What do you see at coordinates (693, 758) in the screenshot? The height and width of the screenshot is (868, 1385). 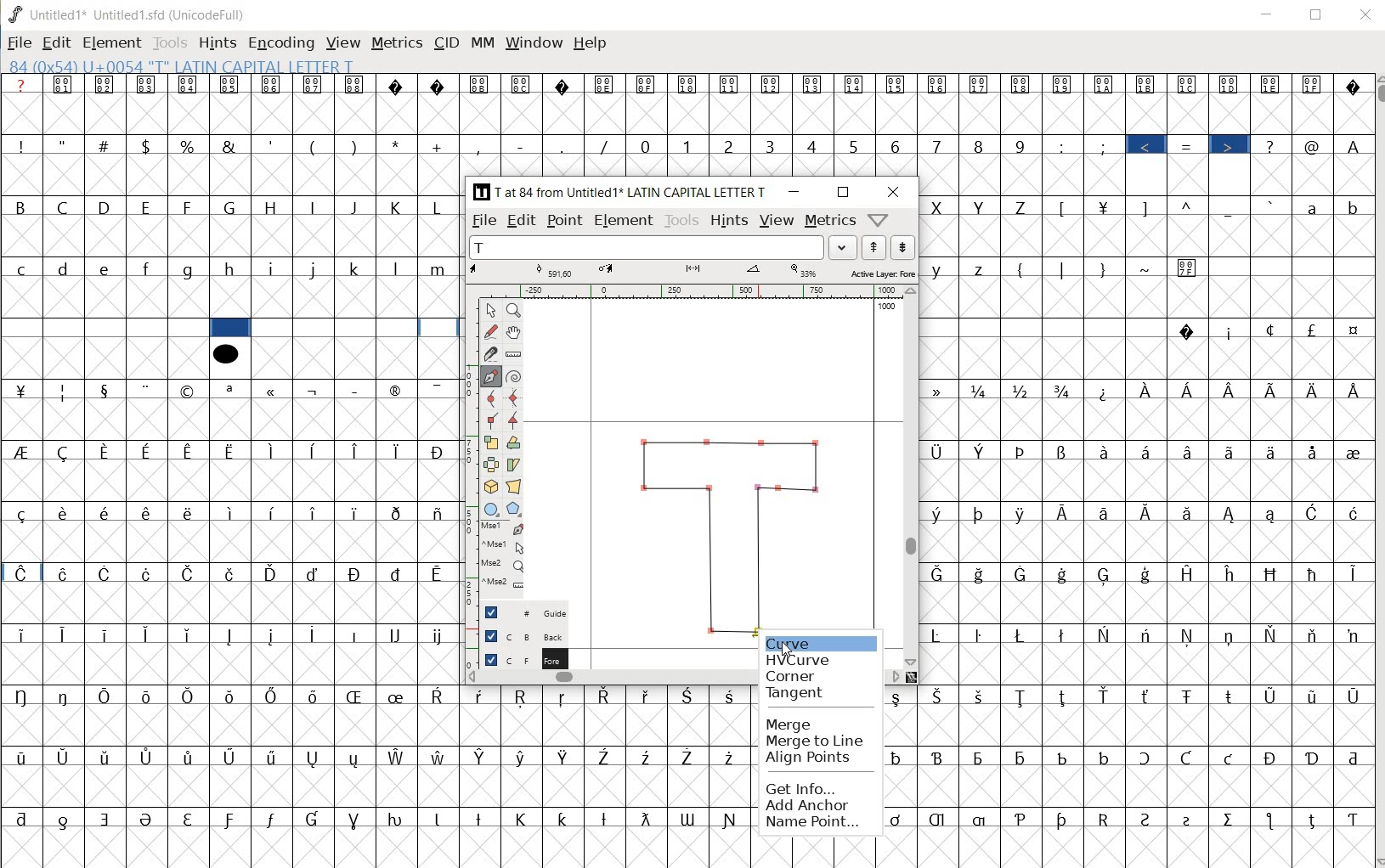 I see `Symbol` at bounding box center [693, 758].